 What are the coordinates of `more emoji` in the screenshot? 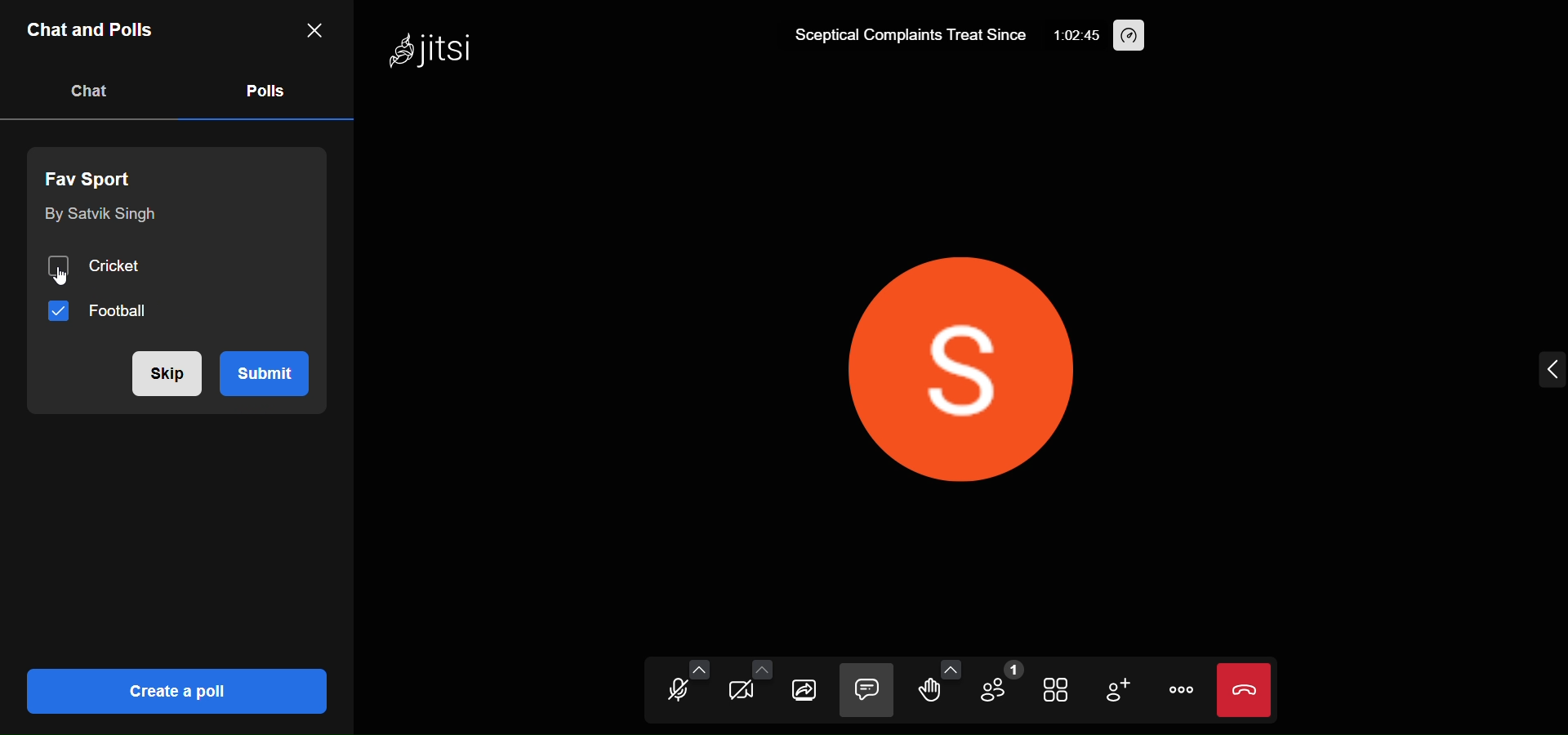 It's located at (951, 668).